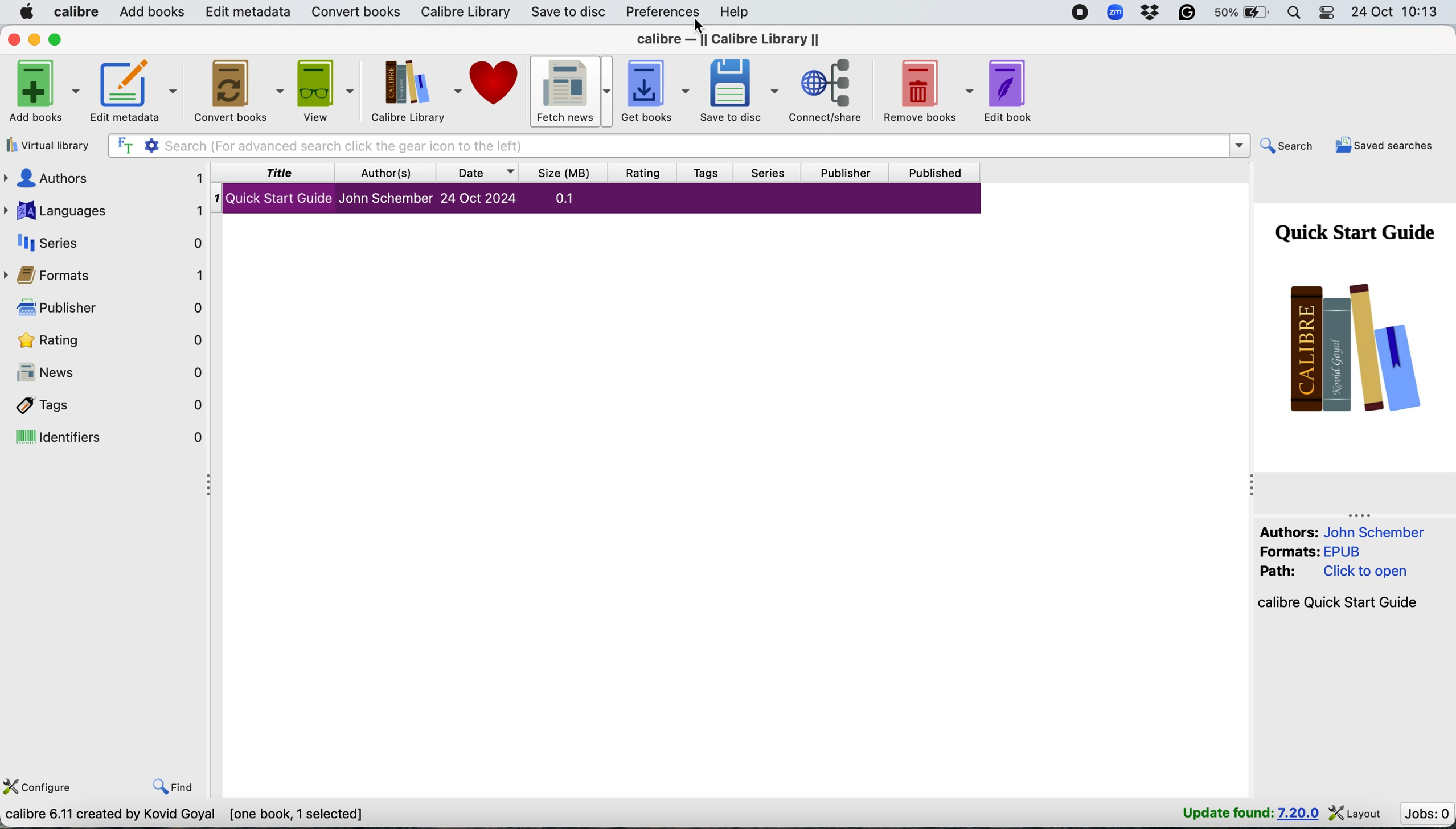 Image resolution: width=1456 pixels, height=829 pixels. I want to click on author, so click(392, 173).